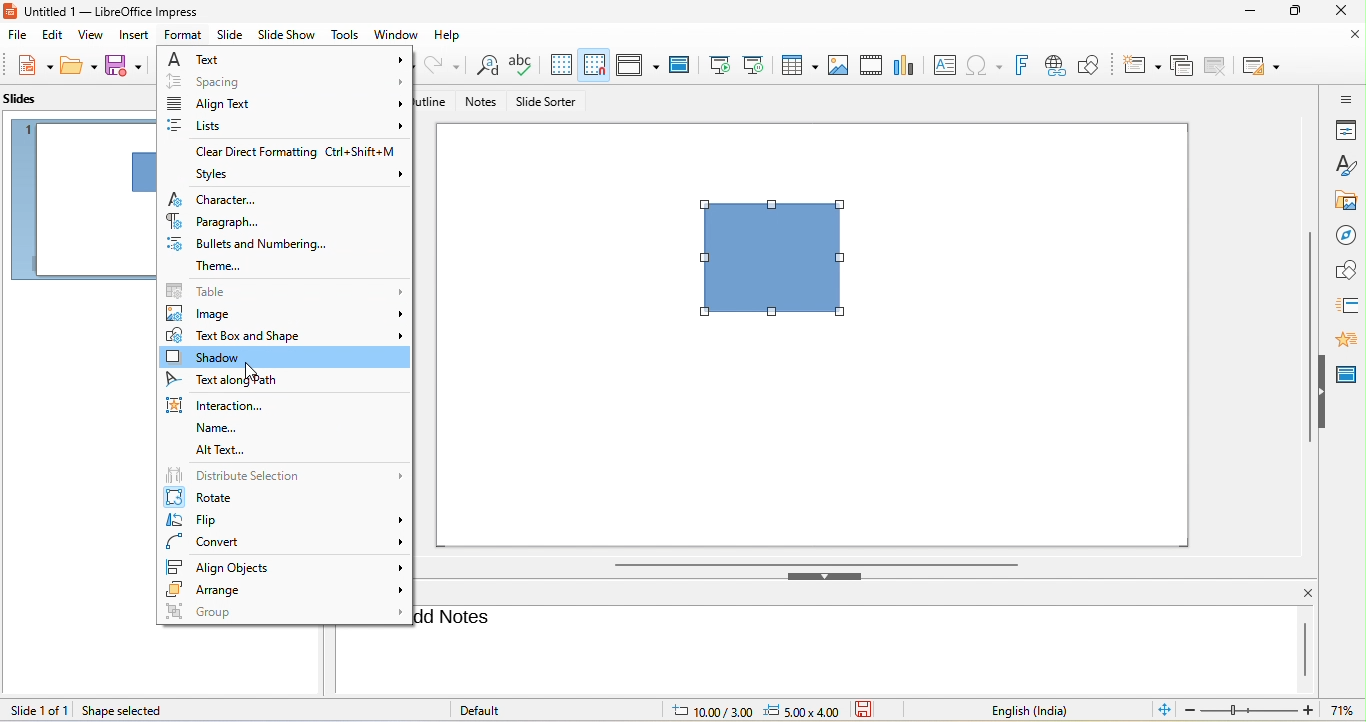 Image resolution: width=1366 pixels, height=722 pixels. Describe the element at coordinates (461, 617) in the screenshot. I see `click to add notes` at that location.